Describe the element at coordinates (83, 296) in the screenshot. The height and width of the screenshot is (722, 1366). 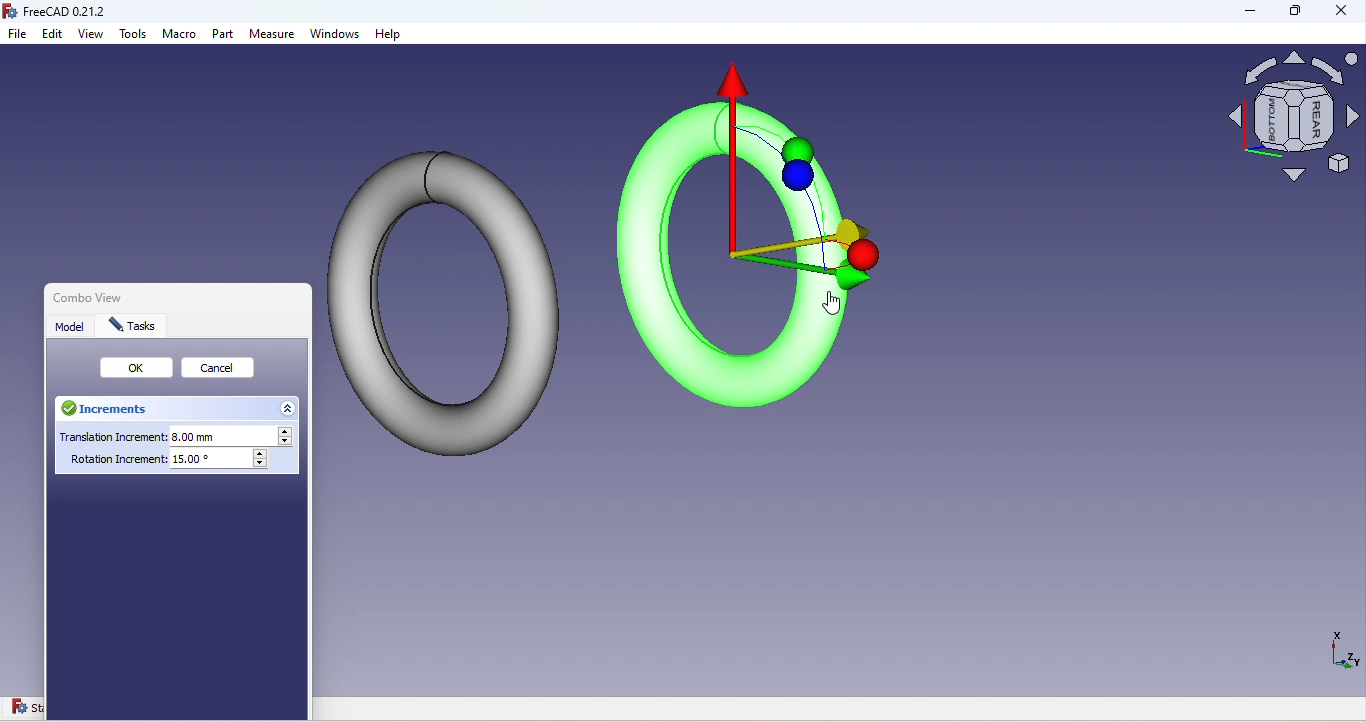
I see `Combo view` at that location.